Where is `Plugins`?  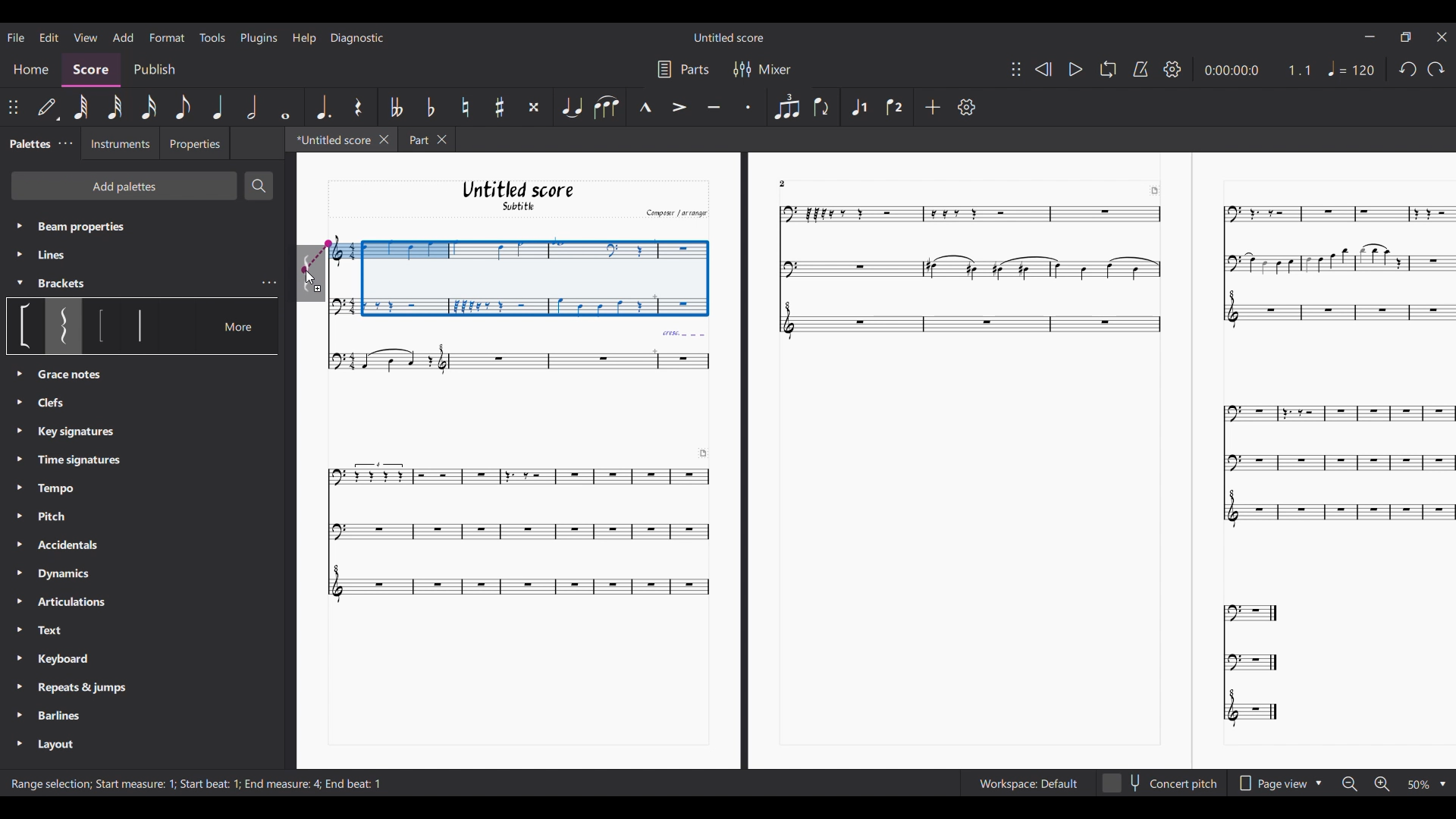 Plugins is located at coordinates (259, 38).